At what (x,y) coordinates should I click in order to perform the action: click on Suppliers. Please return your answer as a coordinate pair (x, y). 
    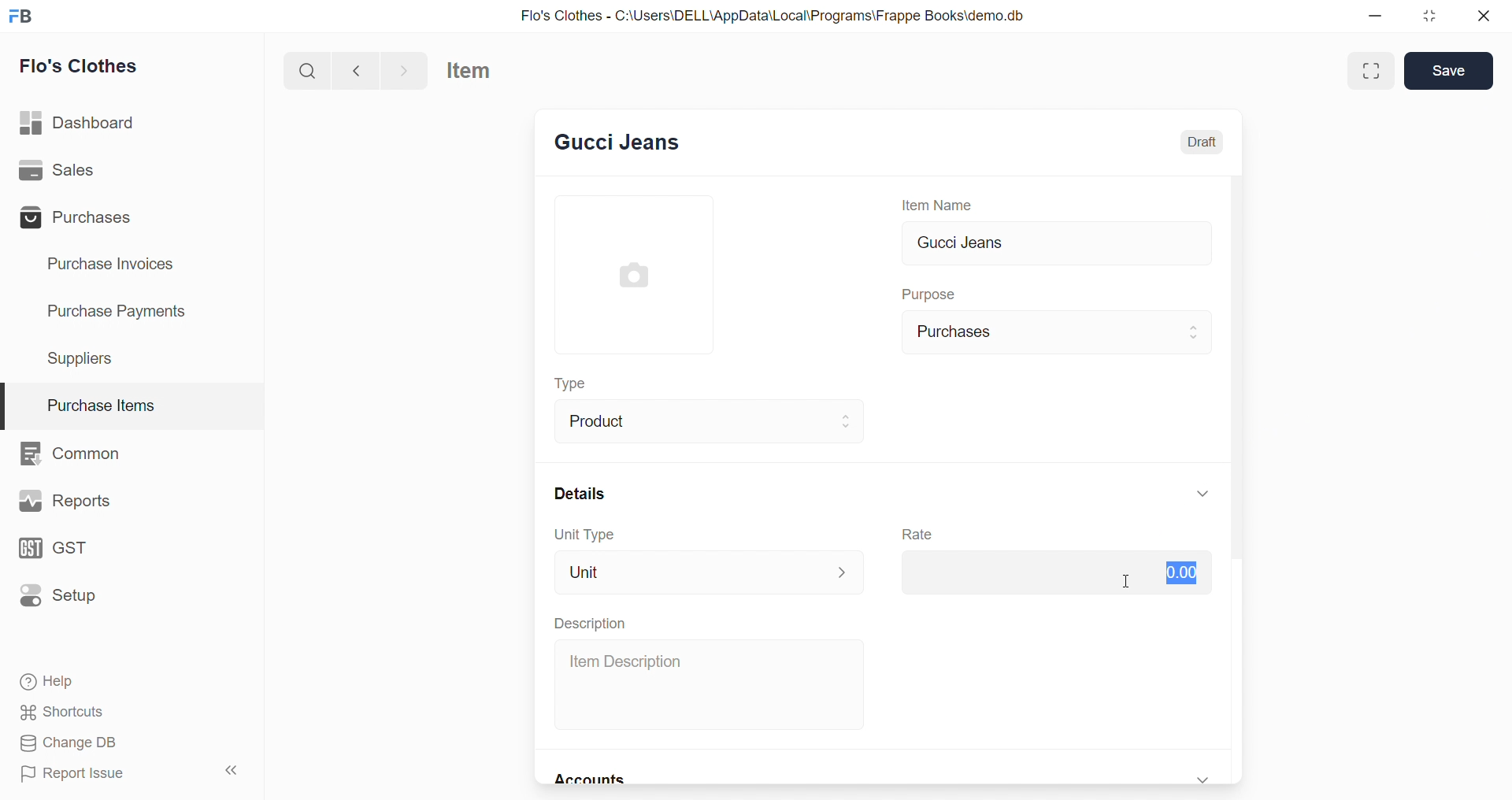
    Looking at the image, I should click on (87, 357).